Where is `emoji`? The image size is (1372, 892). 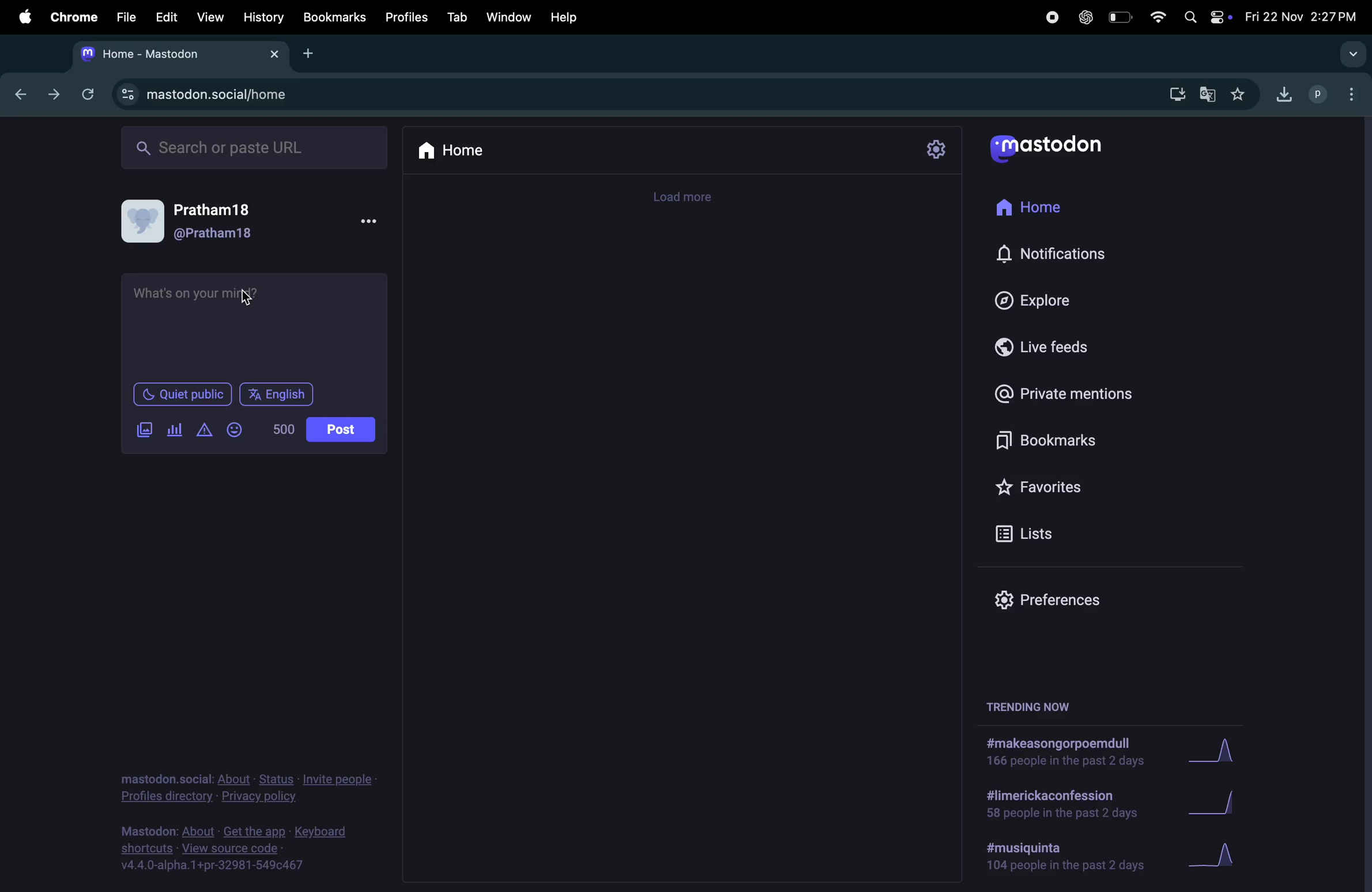 emoji is located at coordinates (235, 430).